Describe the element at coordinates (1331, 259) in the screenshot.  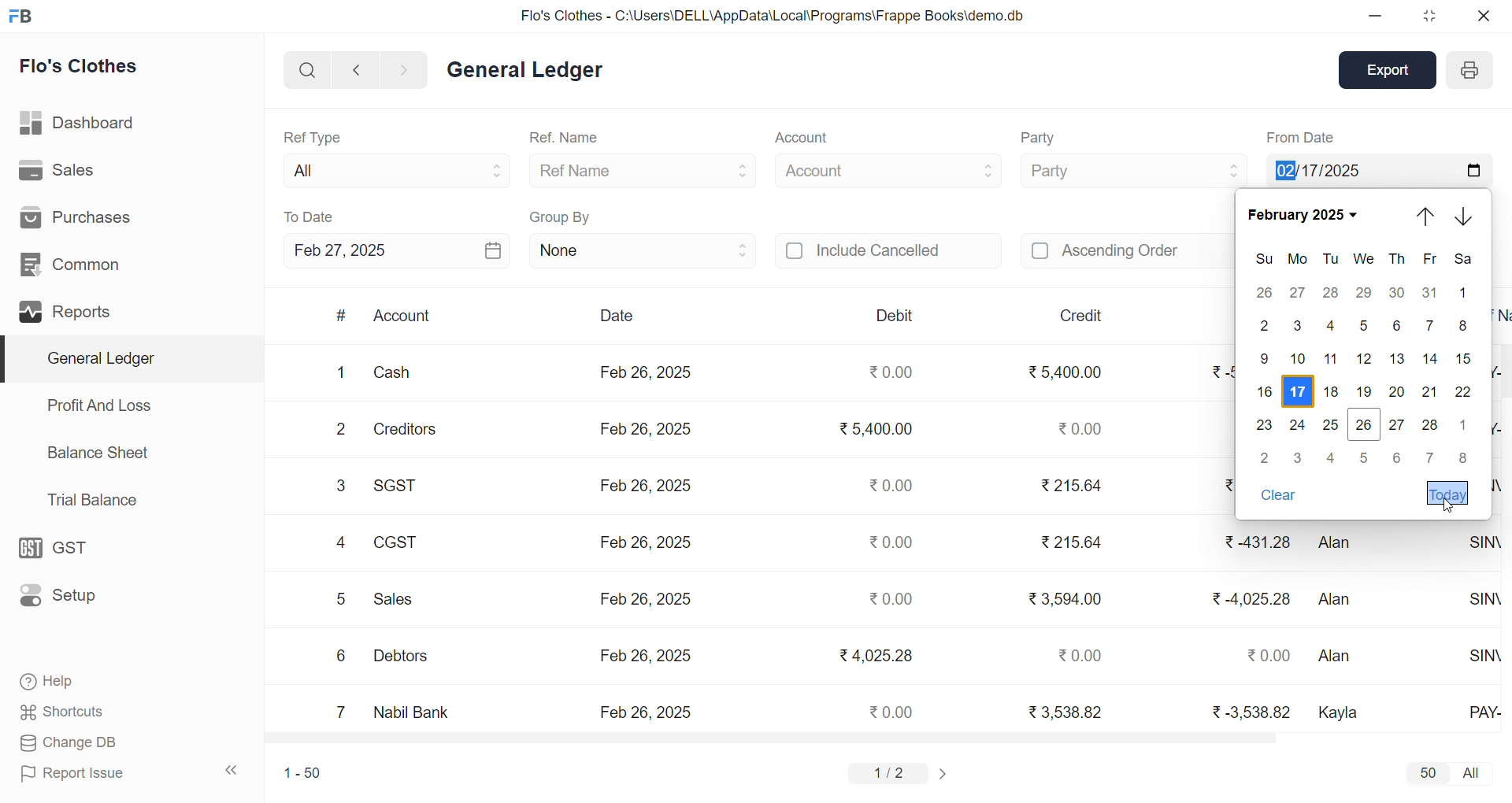
I see `Tu` at that location.